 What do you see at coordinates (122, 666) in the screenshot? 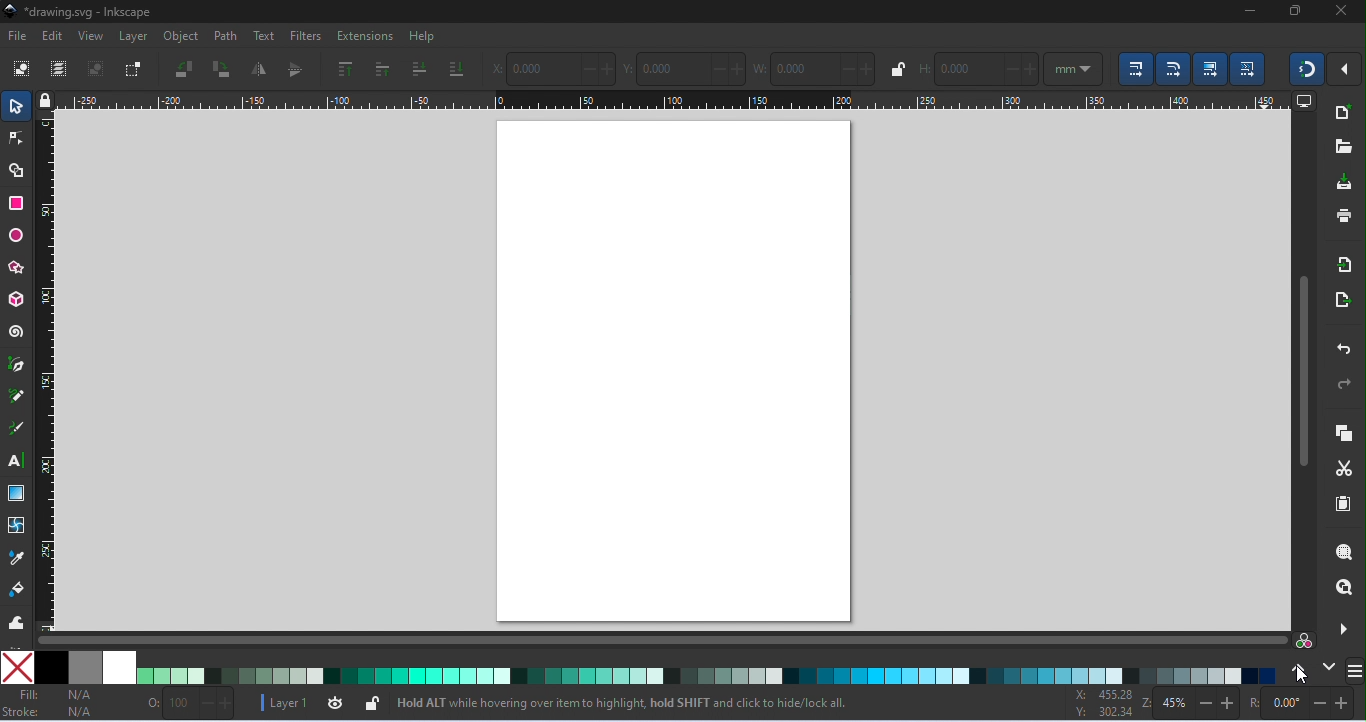
I see `white color` at bounding box center [122, 666].